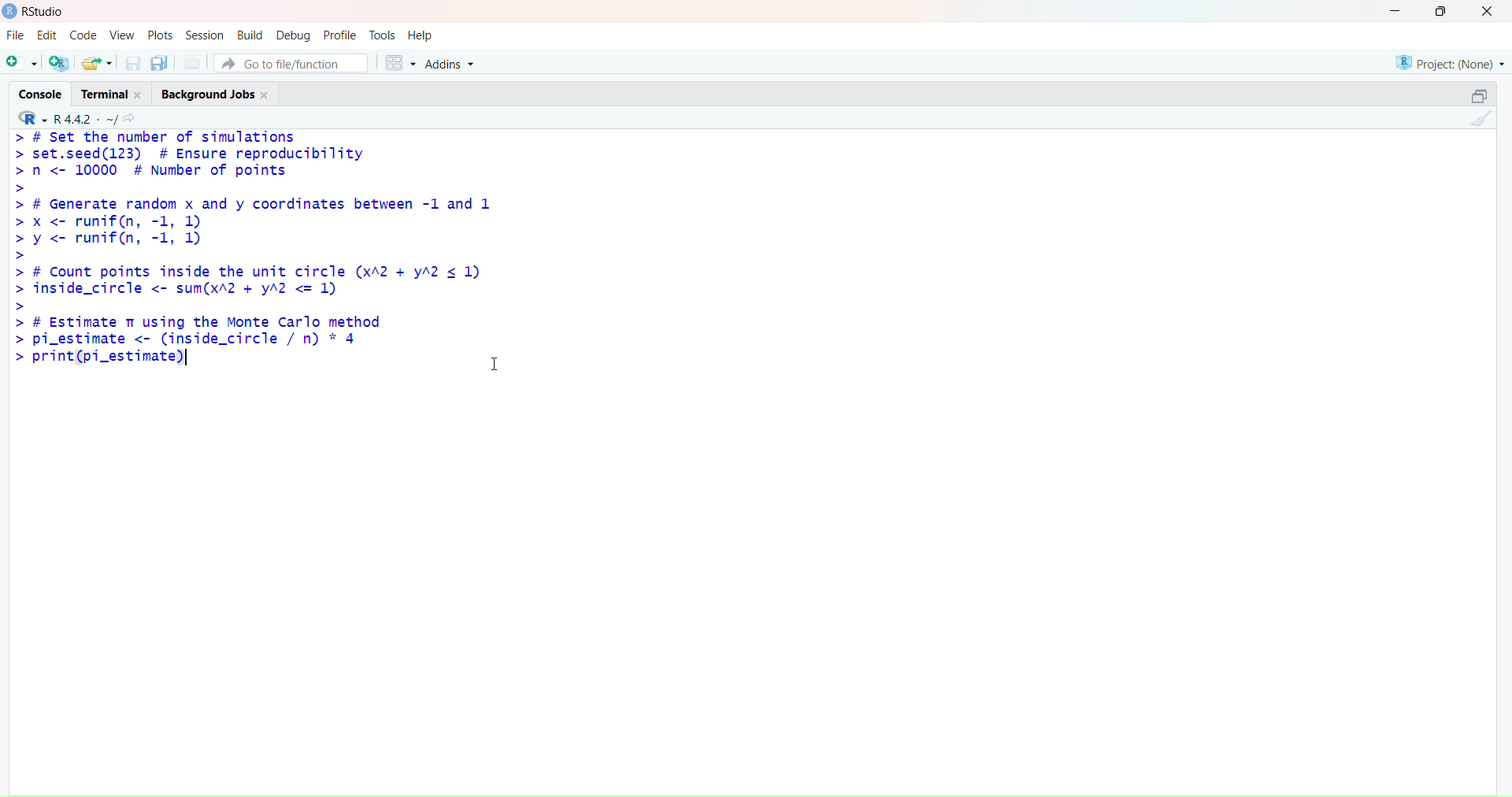 This screenshot has width=1512, height=797. What do you see at coordinates (383, 34) in the screenshot?
I see `Tools` at bounding box center [383, 34].